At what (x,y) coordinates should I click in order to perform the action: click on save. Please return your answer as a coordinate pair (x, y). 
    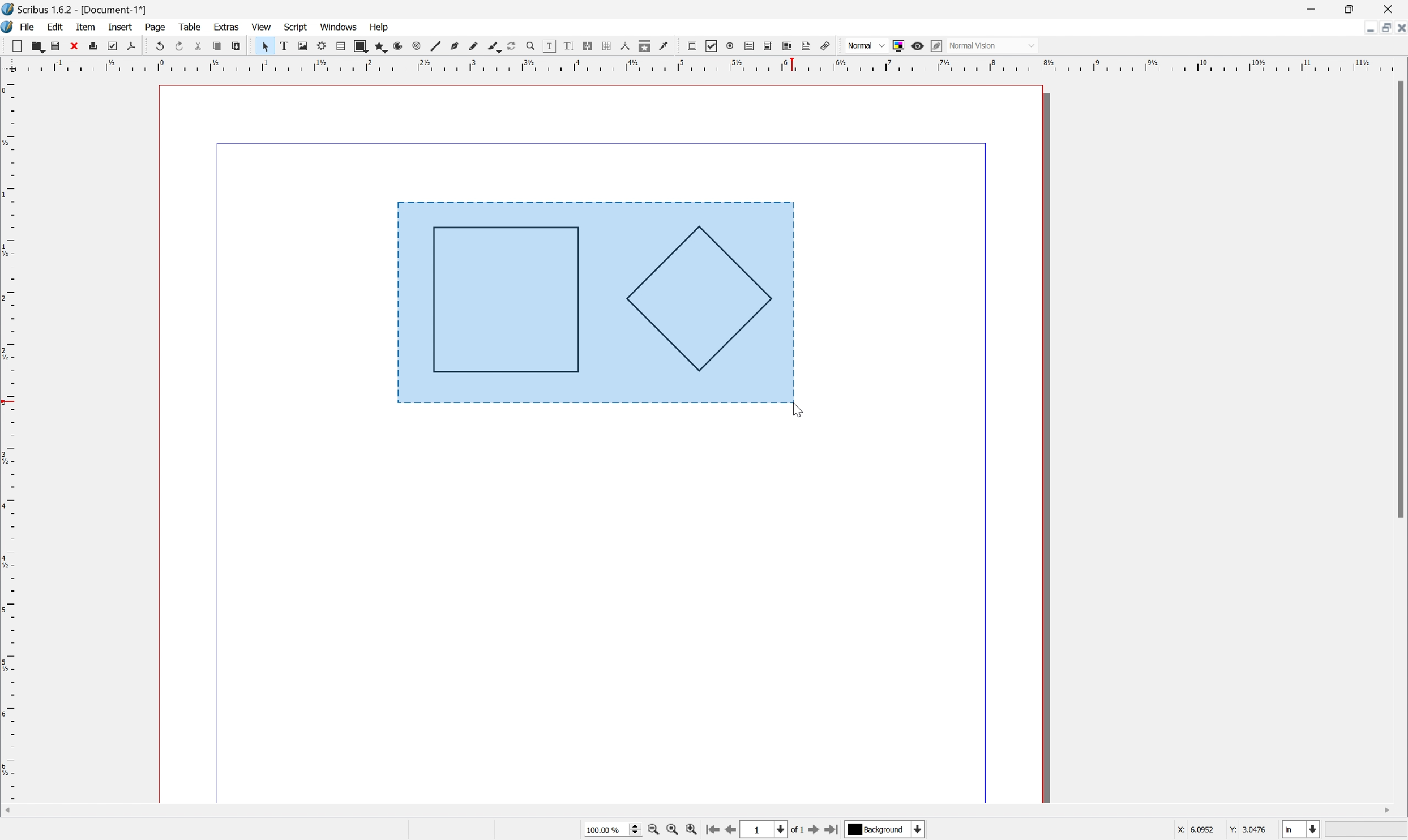
    Looking at the image, I should click on (52, 44).